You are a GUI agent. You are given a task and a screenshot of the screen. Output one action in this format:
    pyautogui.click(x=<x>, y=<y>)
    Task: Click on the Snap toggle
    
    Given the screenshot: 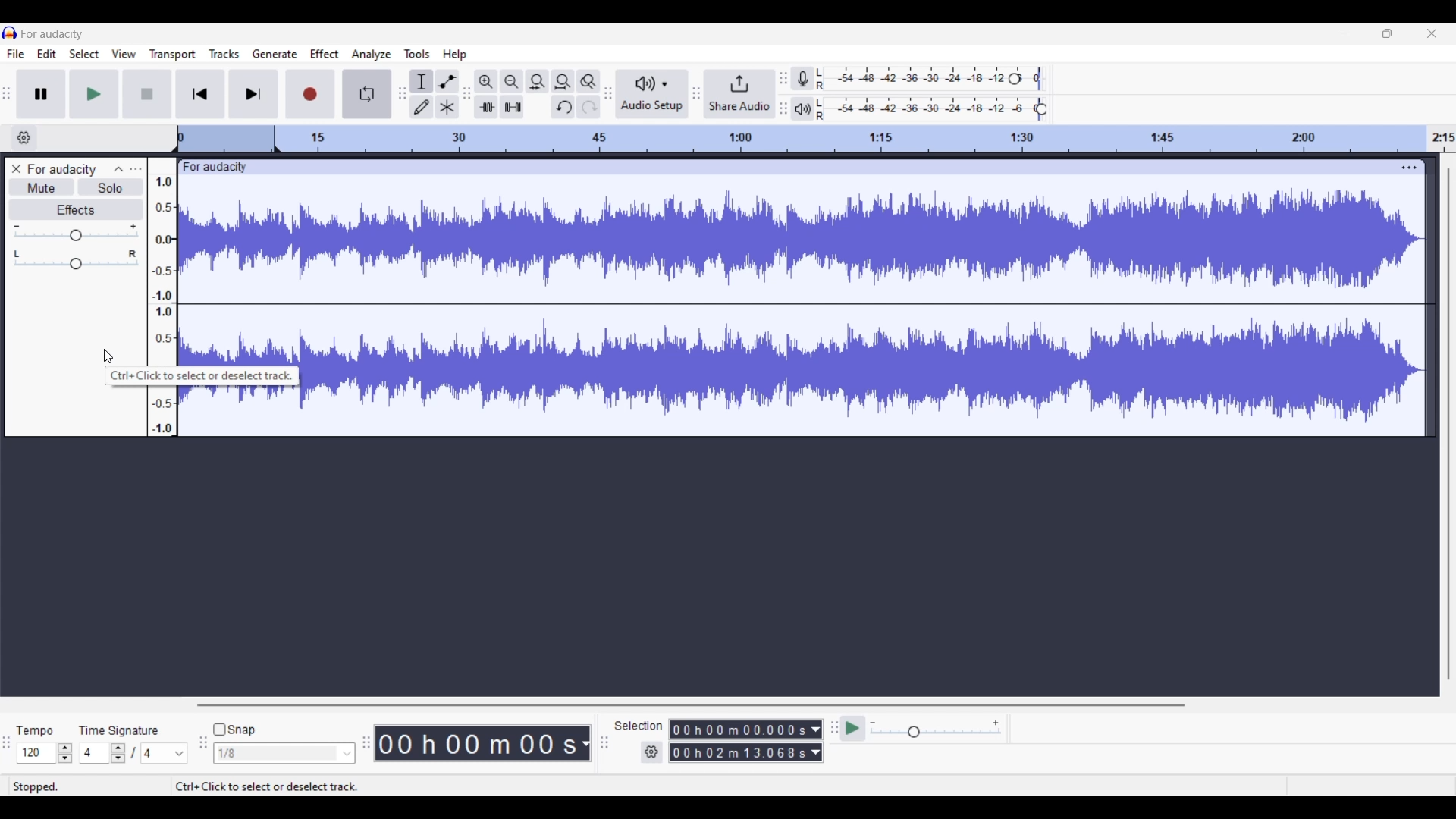 What is the action you would take?
    pyautogui.click(x=234, y=730)
    